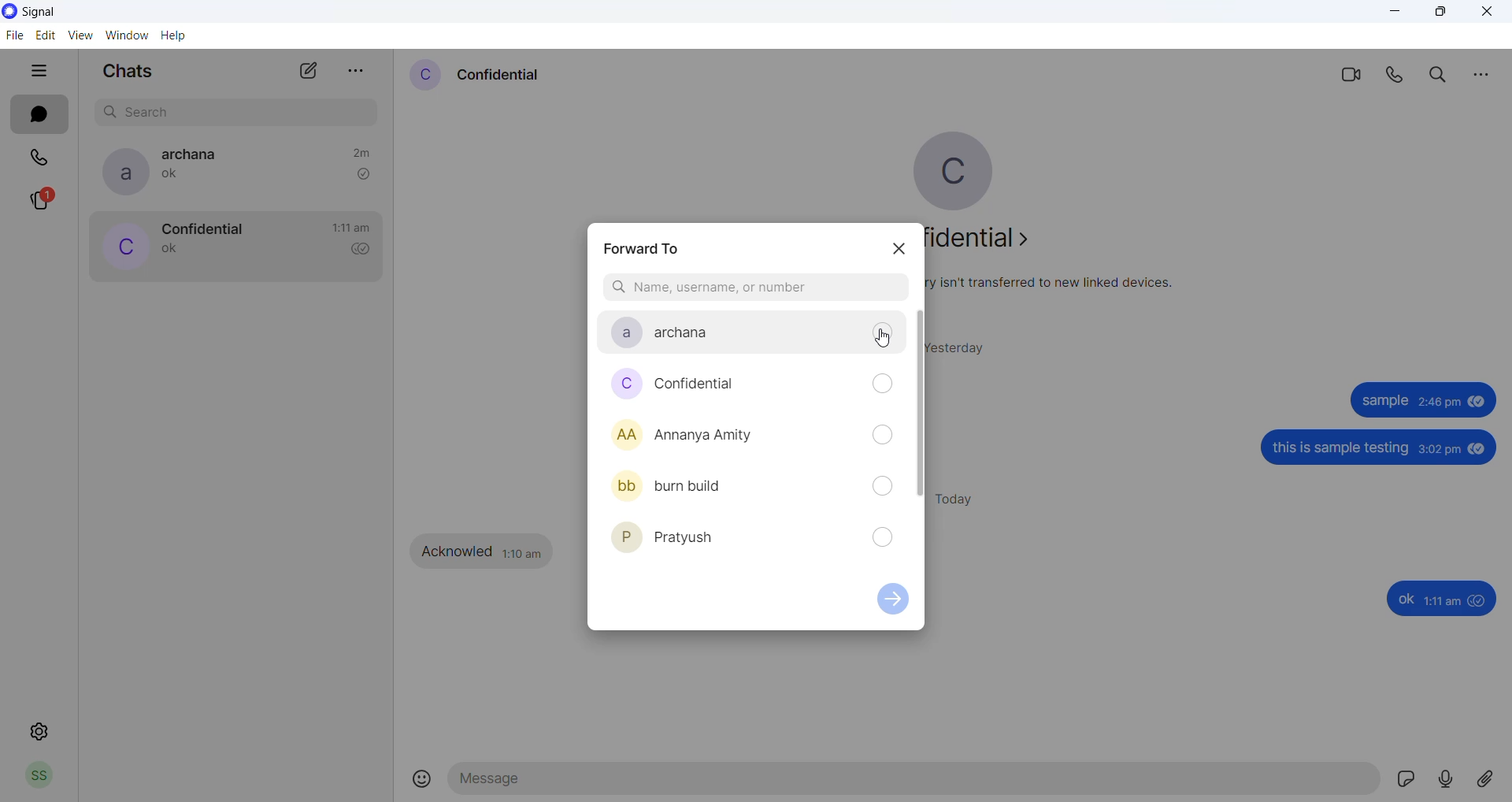  Describe the element at coordinates (351, 228) in the screenshot. I see `last message time` at that location.